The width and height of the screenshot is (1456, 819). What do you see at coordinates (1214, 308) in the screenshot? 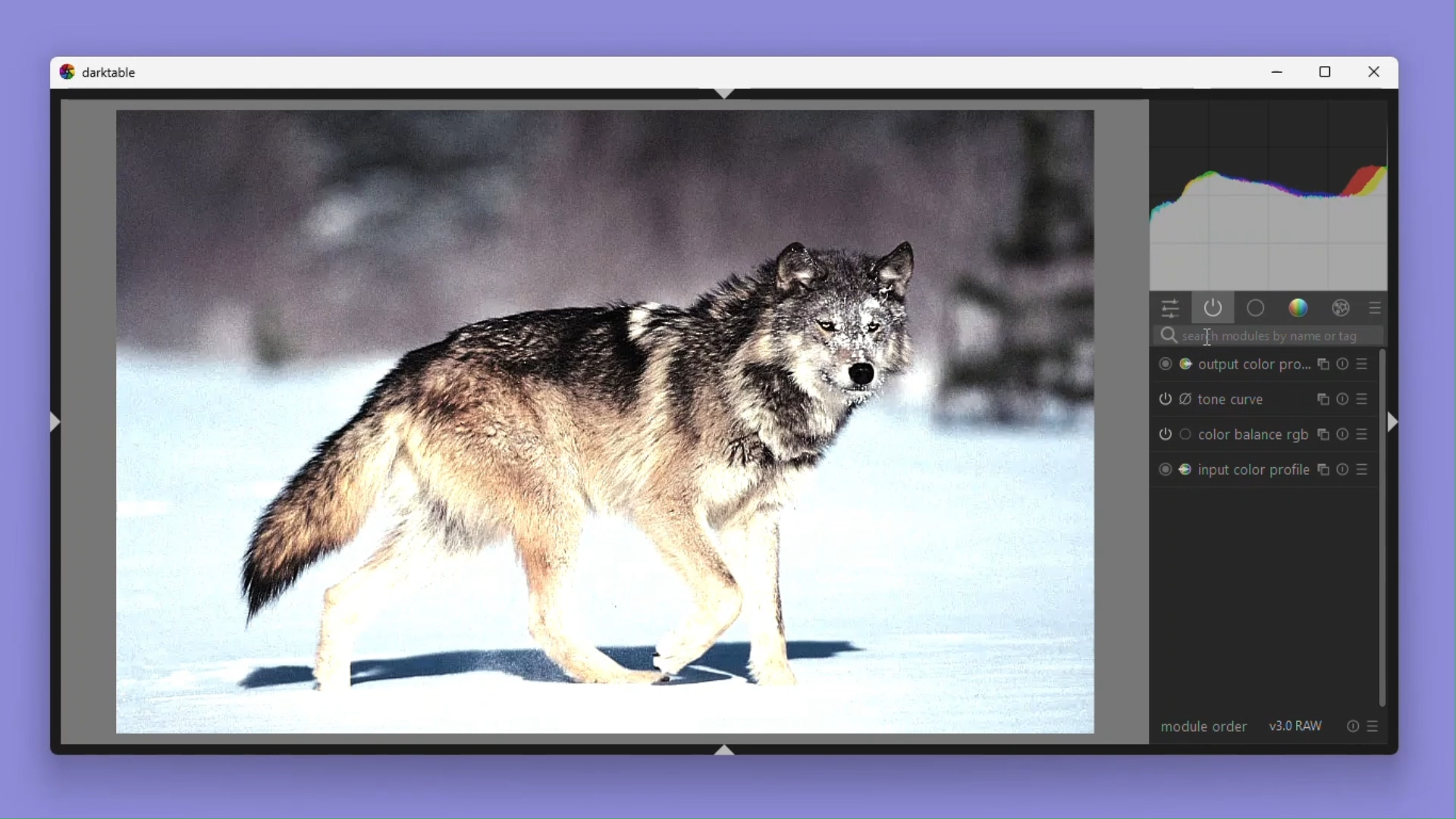
I see `Show only active modules` at bounding box center [1214, 308].